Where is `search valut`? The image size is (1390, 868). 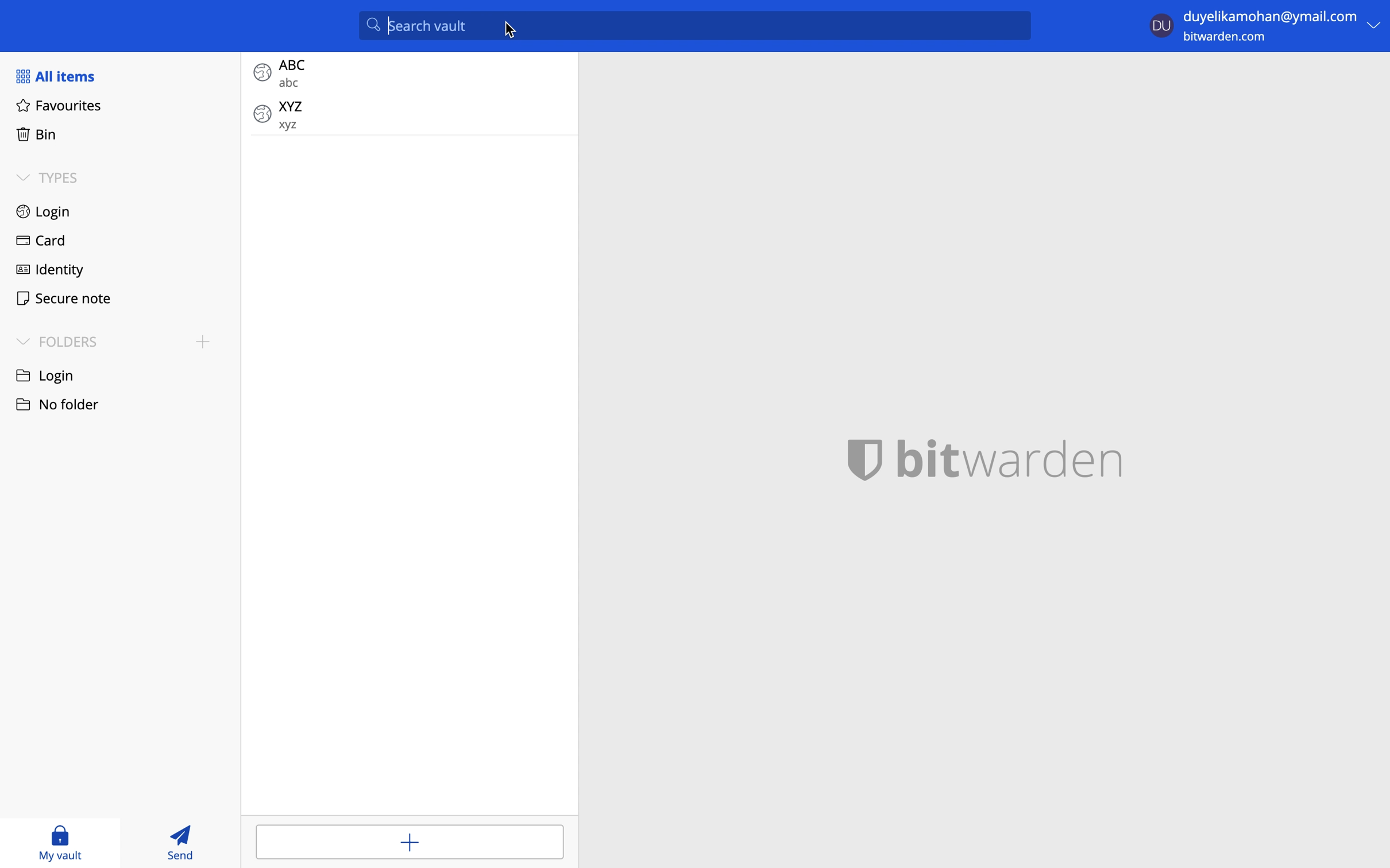
search valut is located at coordinates (699, 25).